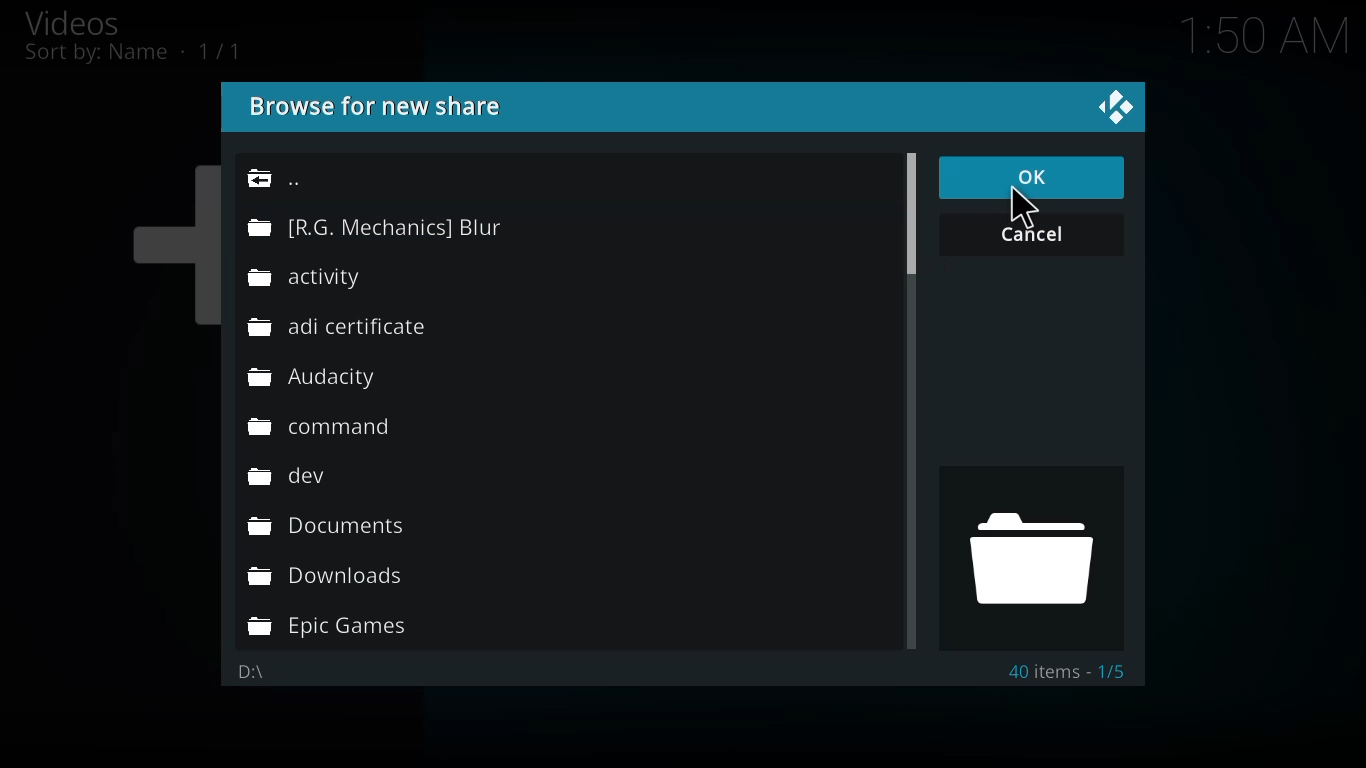 This screenshot has width=1366, height=768. Describe the element at coordinates (343, 329) in the screenshot. I see `folder` at that location.